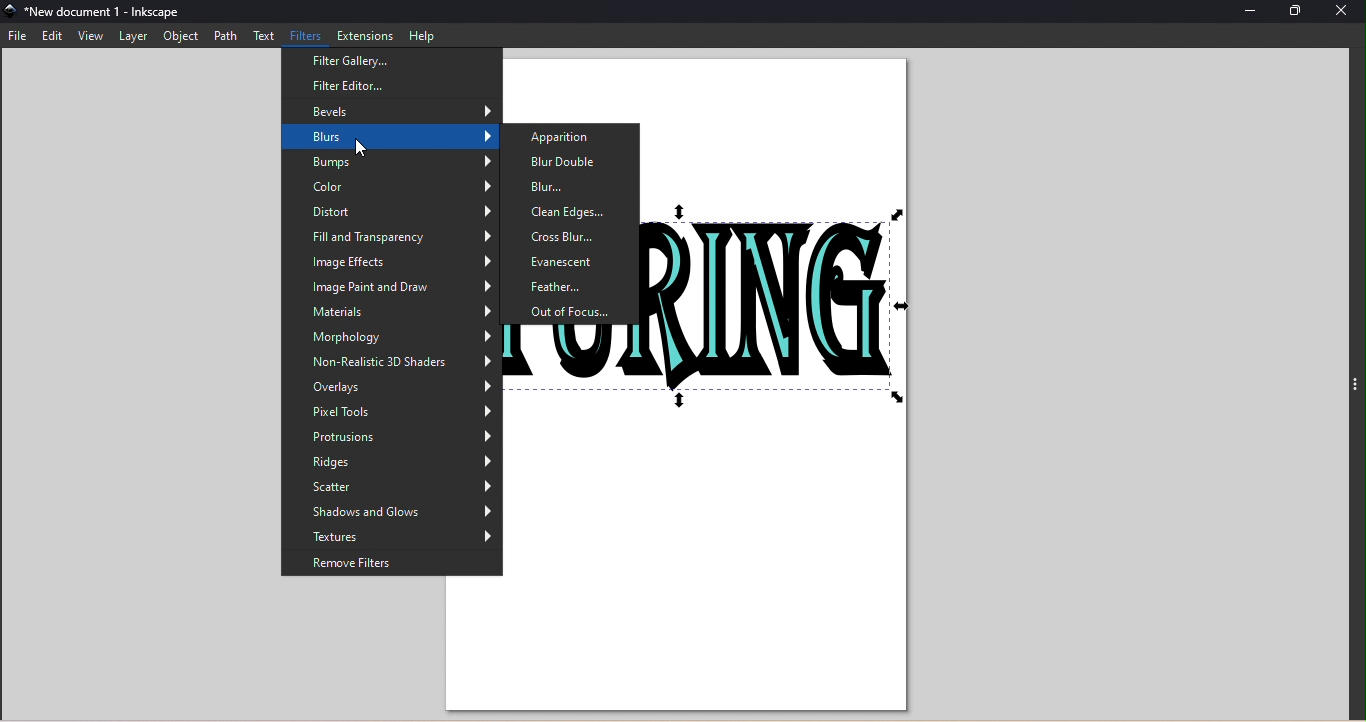 This screenshot has width=1366, height=722. I want to click on Image paint and draw, so click(391, 286).